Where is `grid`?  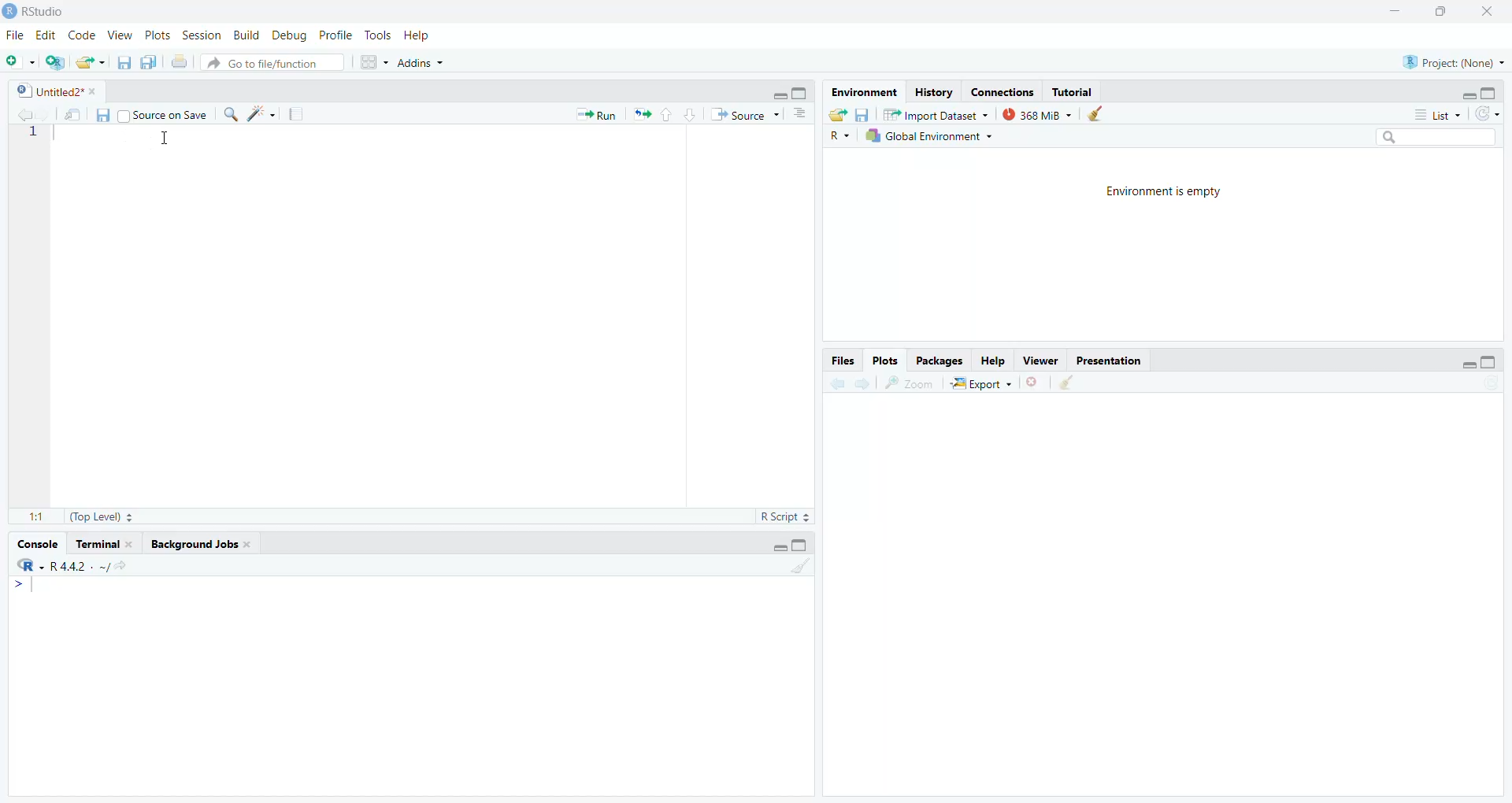
grid is located at coordinates (373, 65).